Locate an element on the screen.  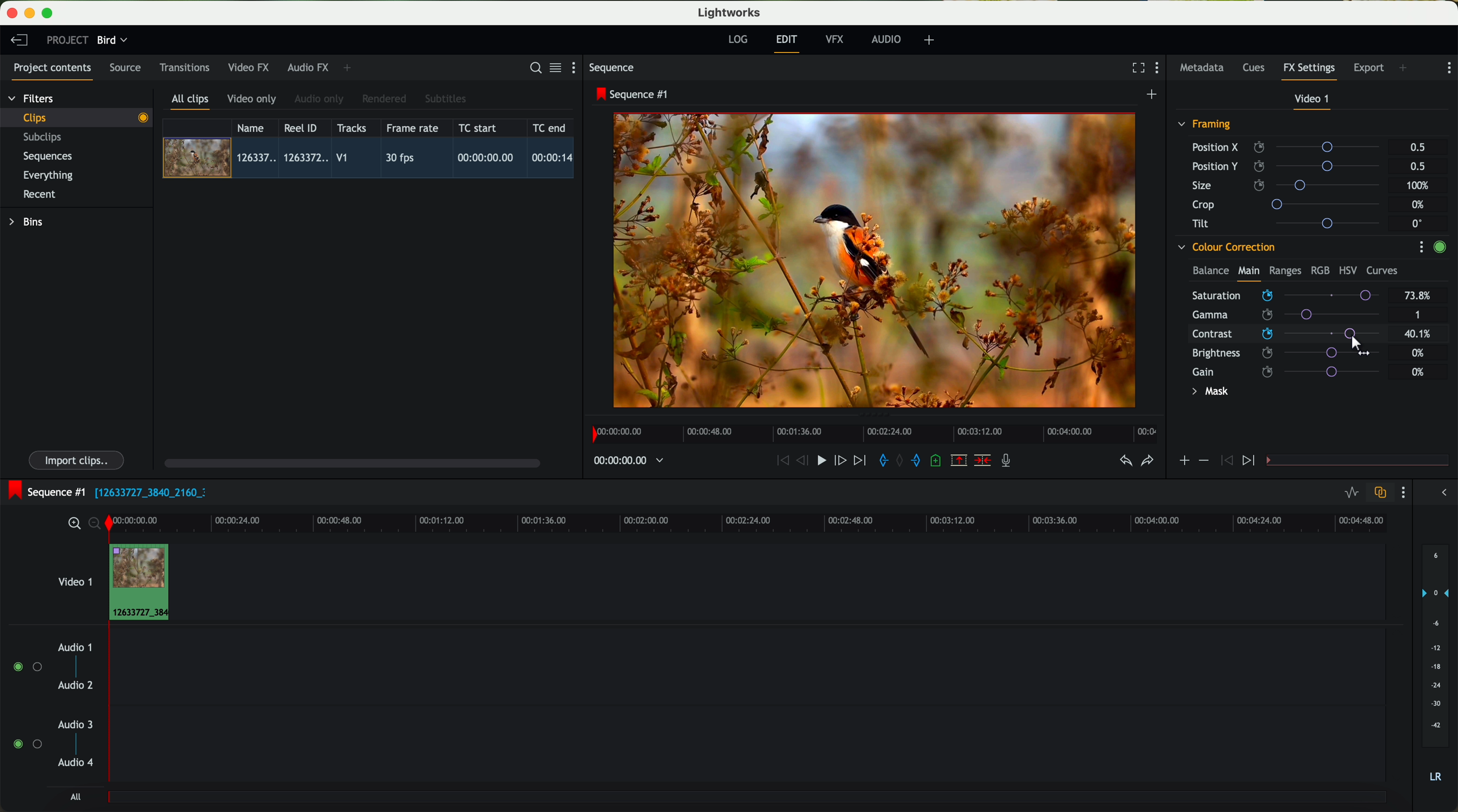
TC end is located at coordinates (550, 127).